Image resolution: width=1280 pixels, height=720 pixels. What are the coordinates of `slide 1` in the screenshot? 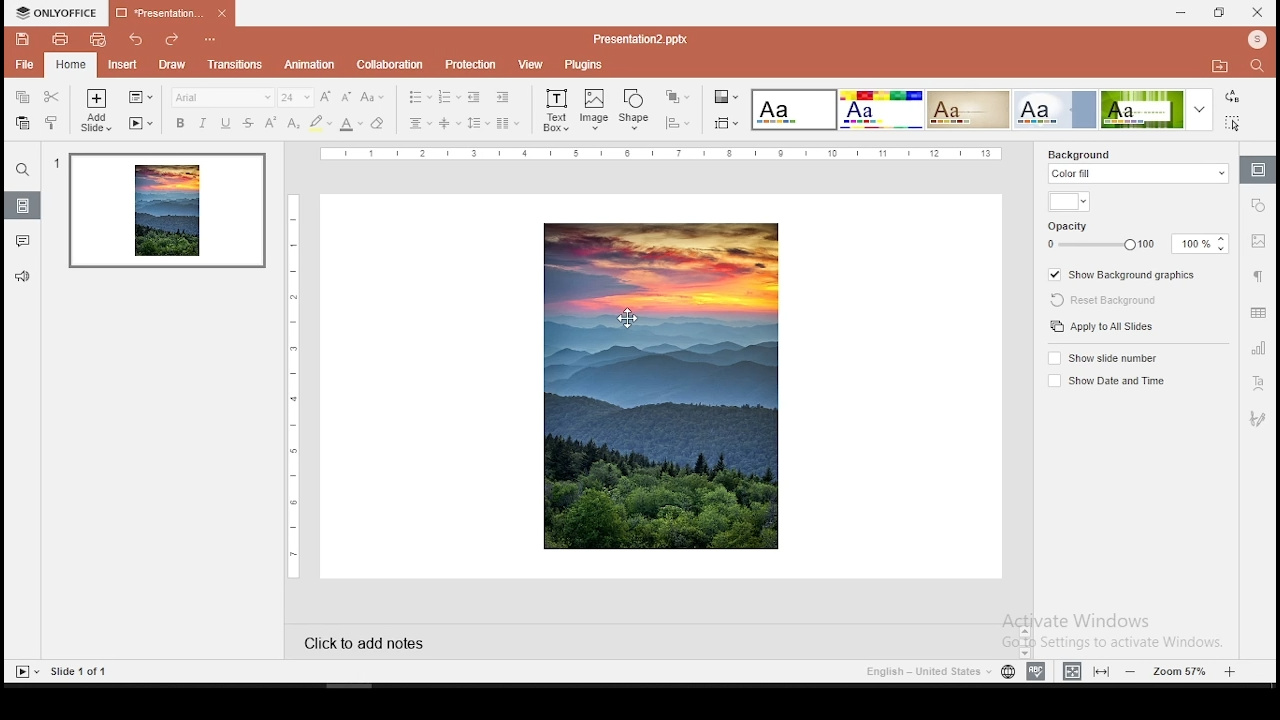 It's located at (167, 213).